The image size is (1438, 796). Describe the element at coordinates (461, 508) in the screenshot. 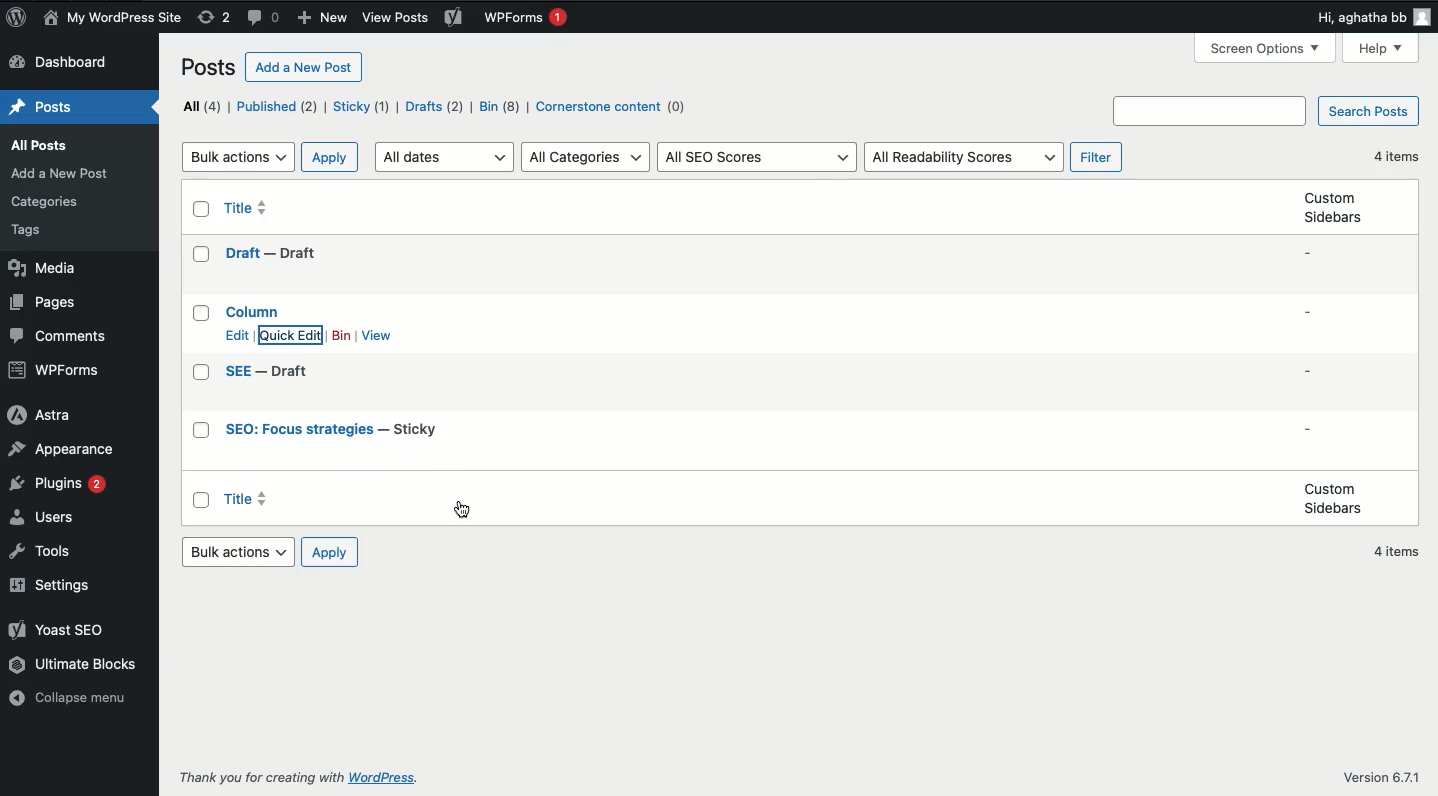

I see `Tag added` at that location.